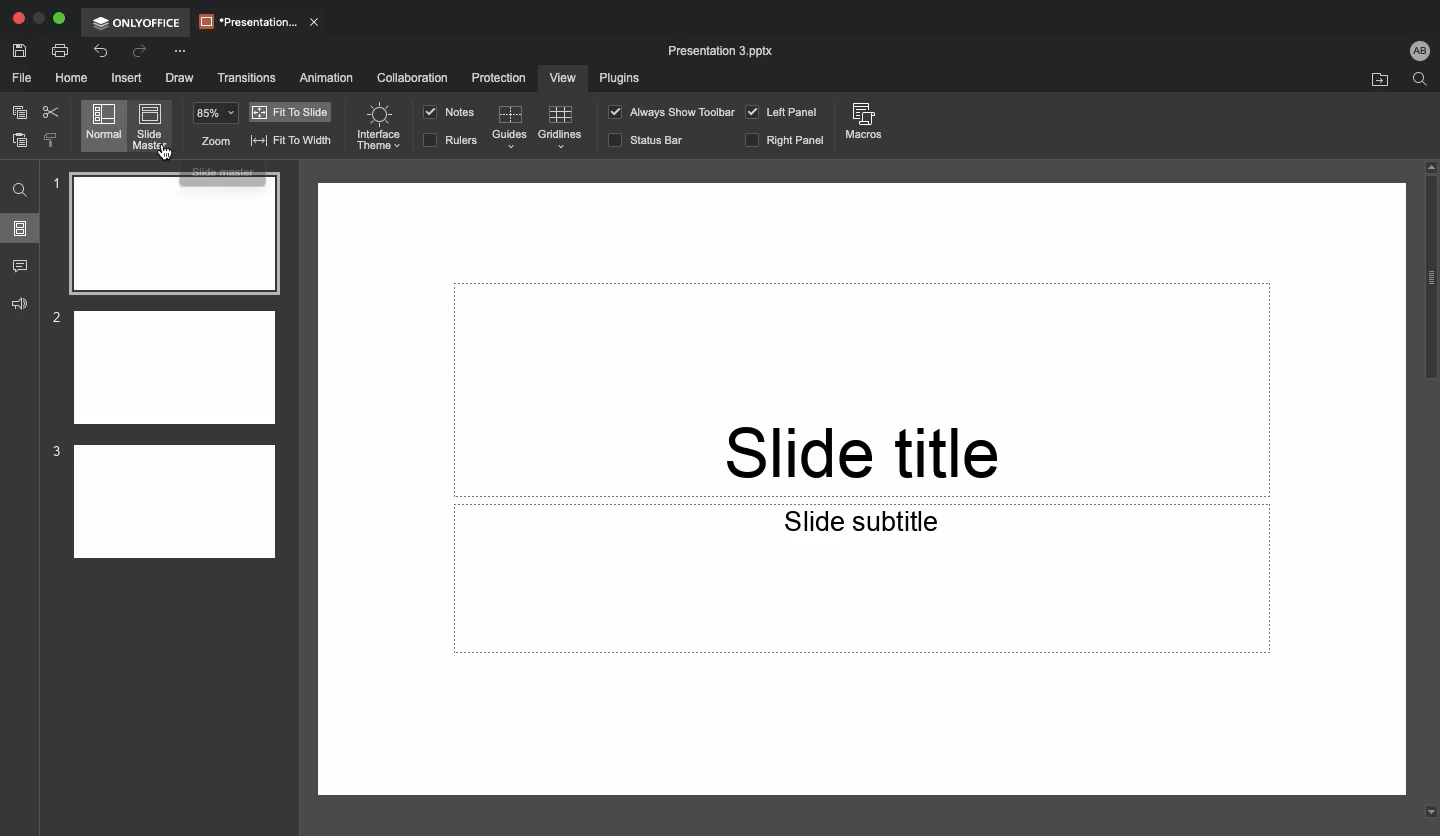 The width and height of the screenshot is (1440, 836). Describe the element at coordinates (450, 142) in the screenshot. I see `RULERS` at that location.